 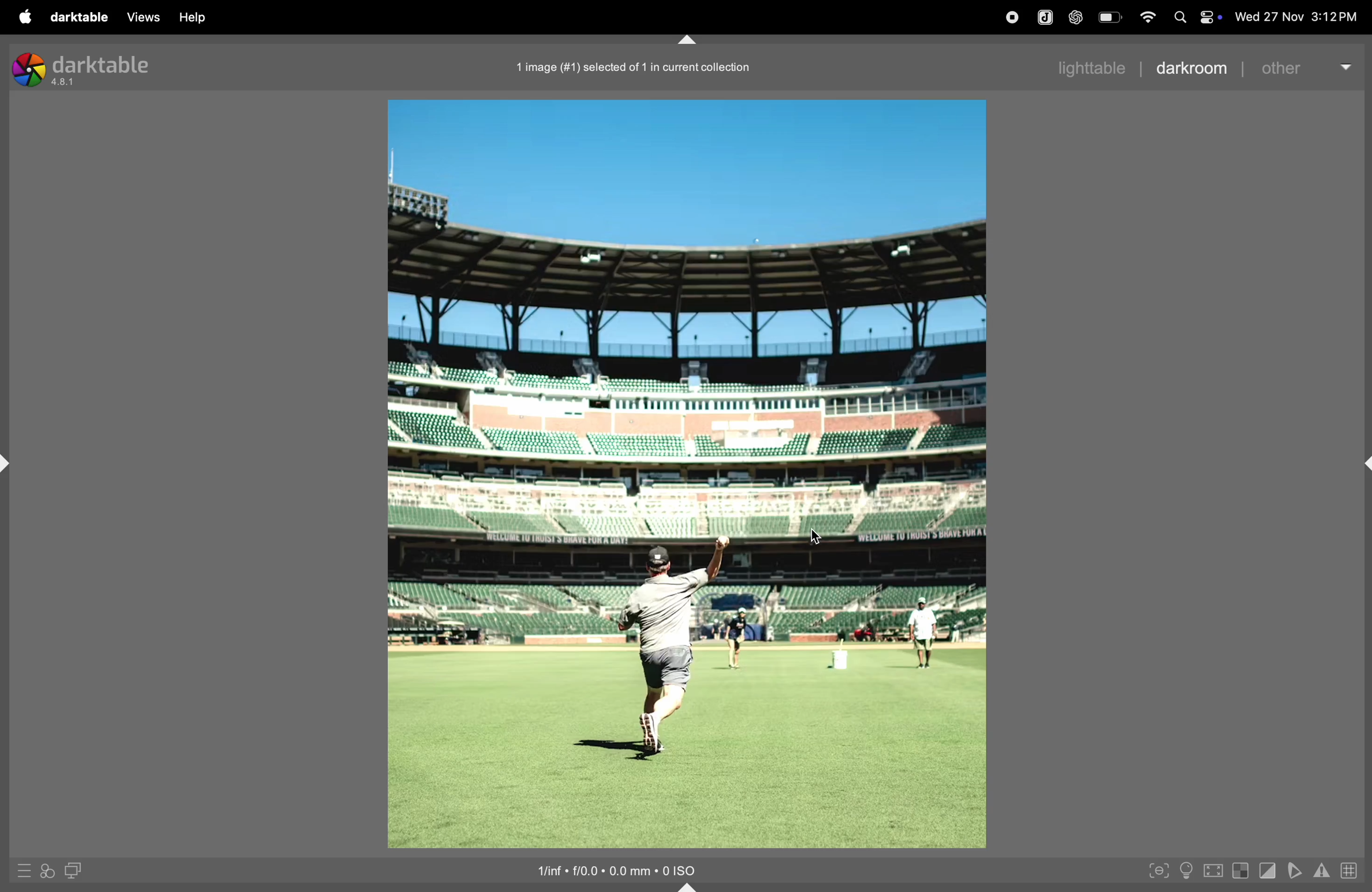 I want to click on darktaable, so click(x=84, y=17).